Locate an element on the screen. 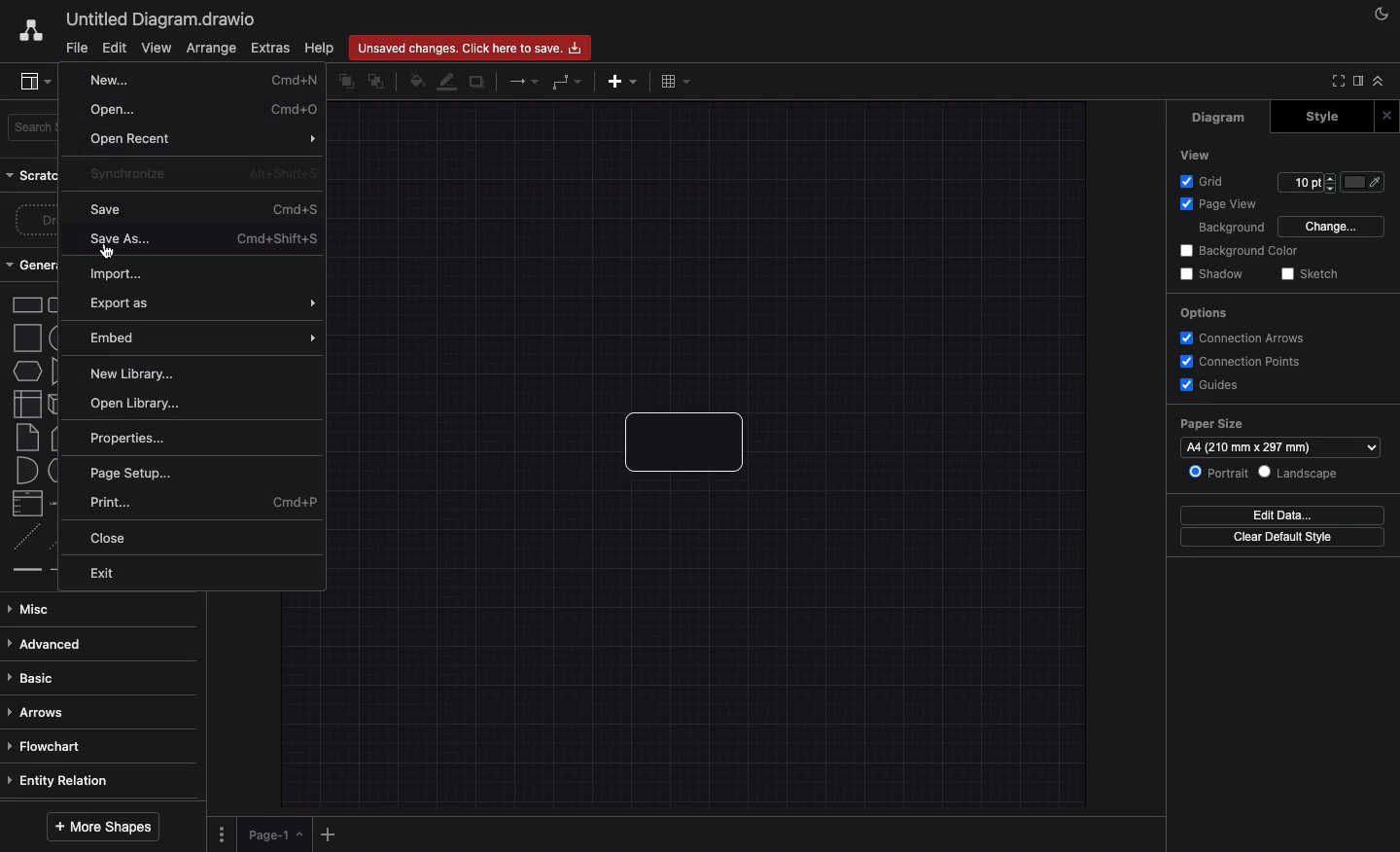 The image size is (1400, 852). Paper size is located at coordinates (1273, 424).